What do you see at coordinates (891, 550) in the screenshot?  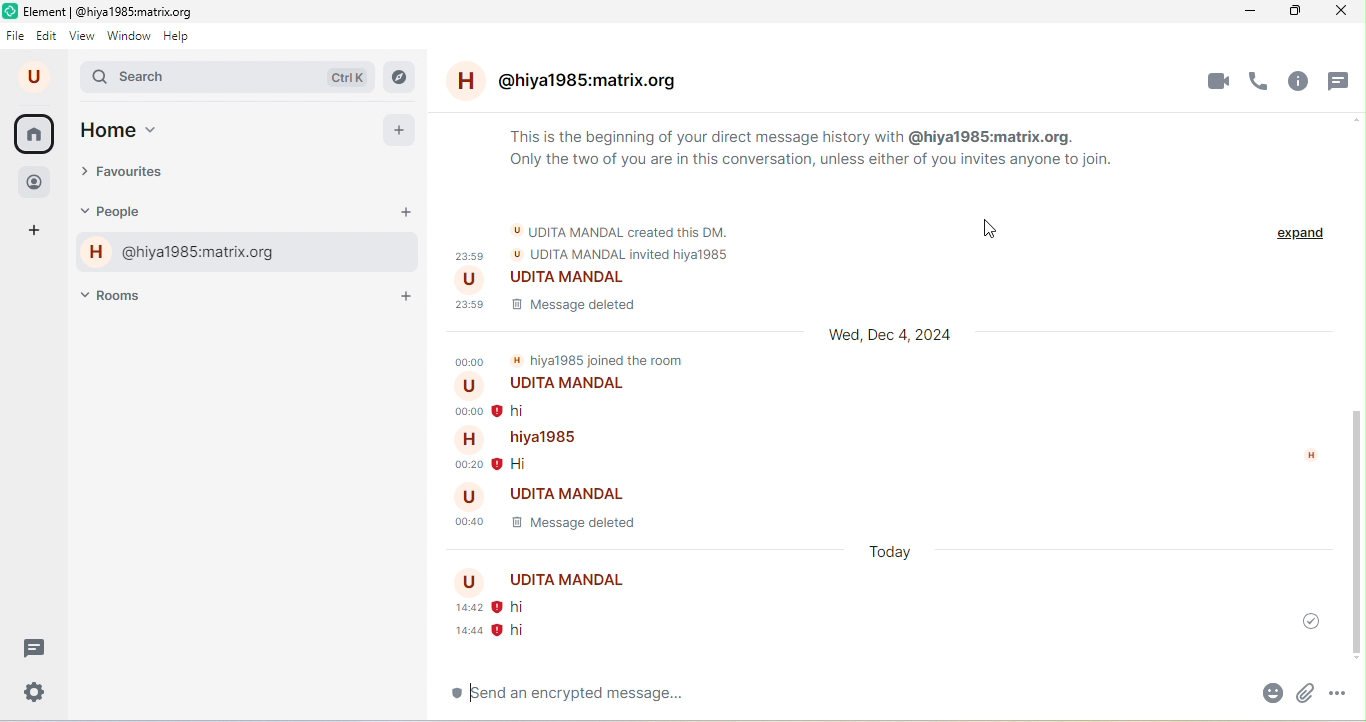 I see `today` at bounding box center [891, 550].